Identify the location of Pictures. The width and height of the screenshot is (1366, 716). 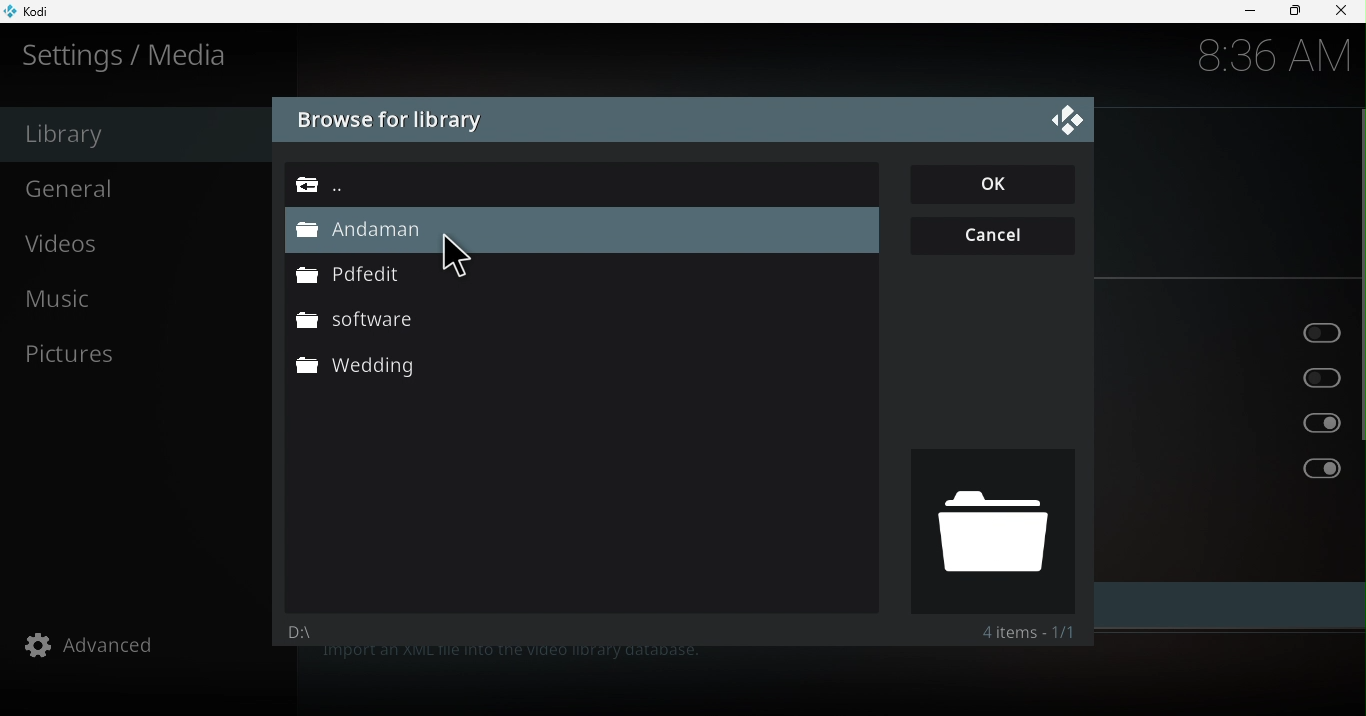
(146, 353).